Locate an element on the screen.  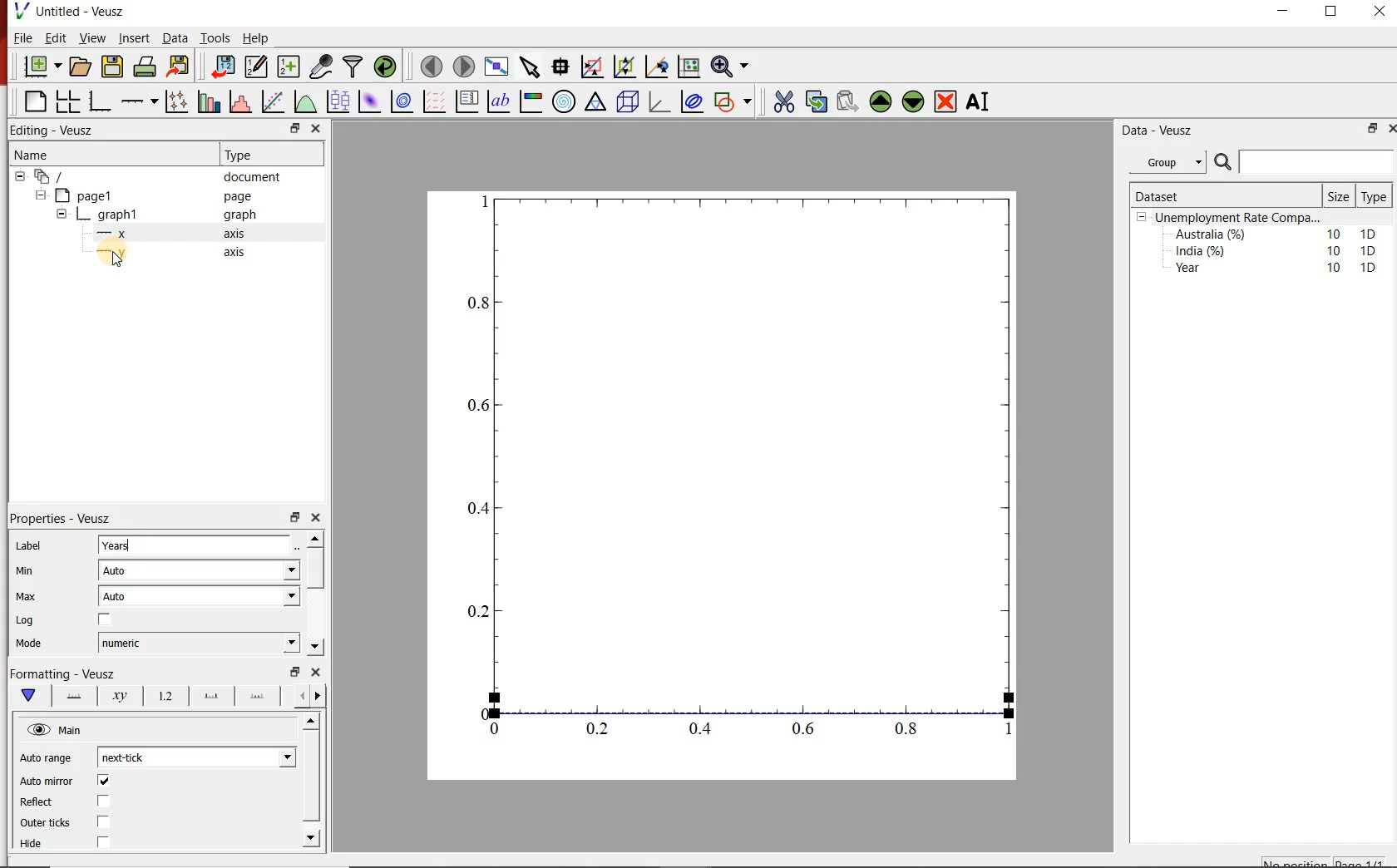
add an axis is located at coordinates (138, 101).